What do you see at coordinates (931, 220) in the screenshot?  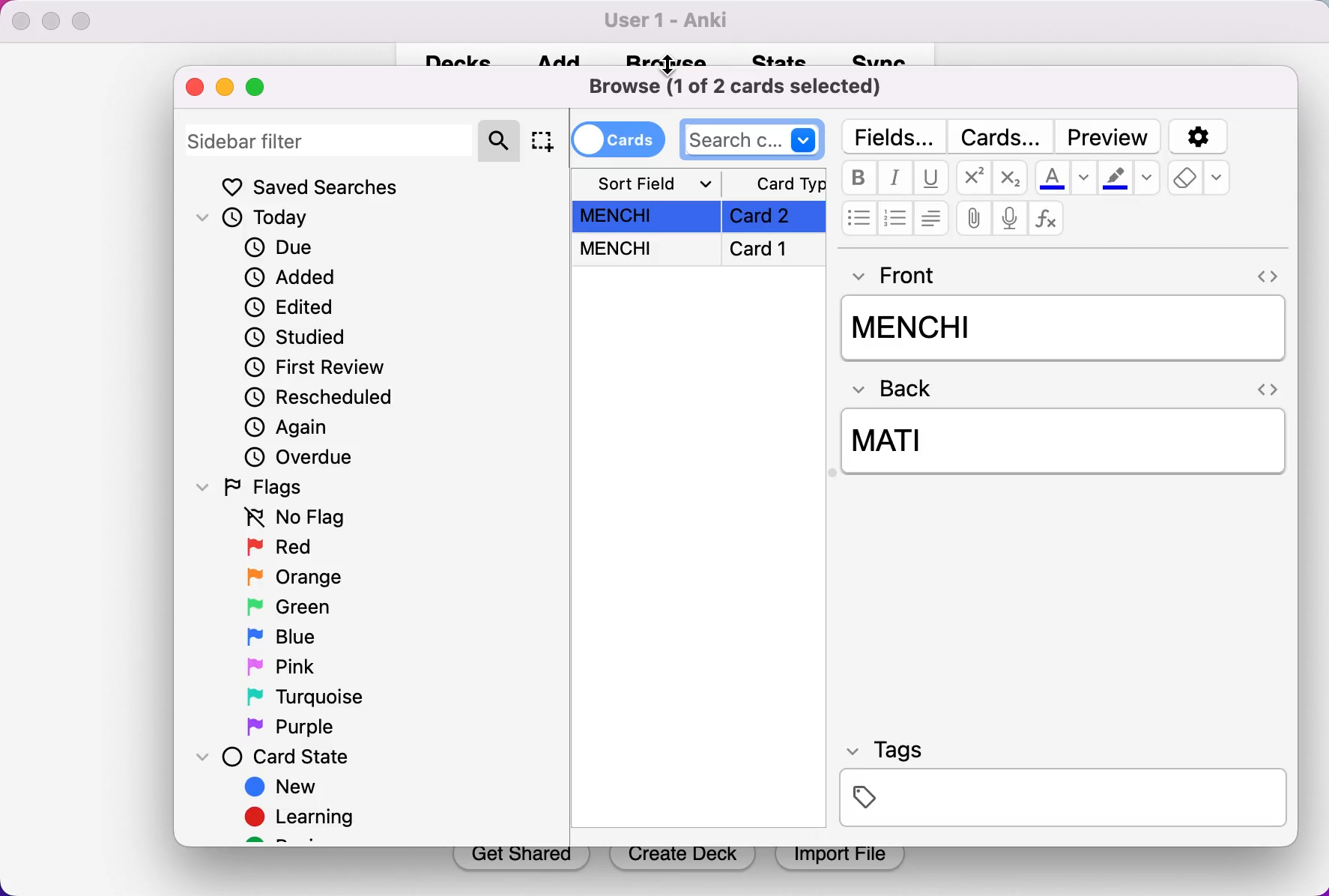 I see `alignment` at bounding box center [931, 220].